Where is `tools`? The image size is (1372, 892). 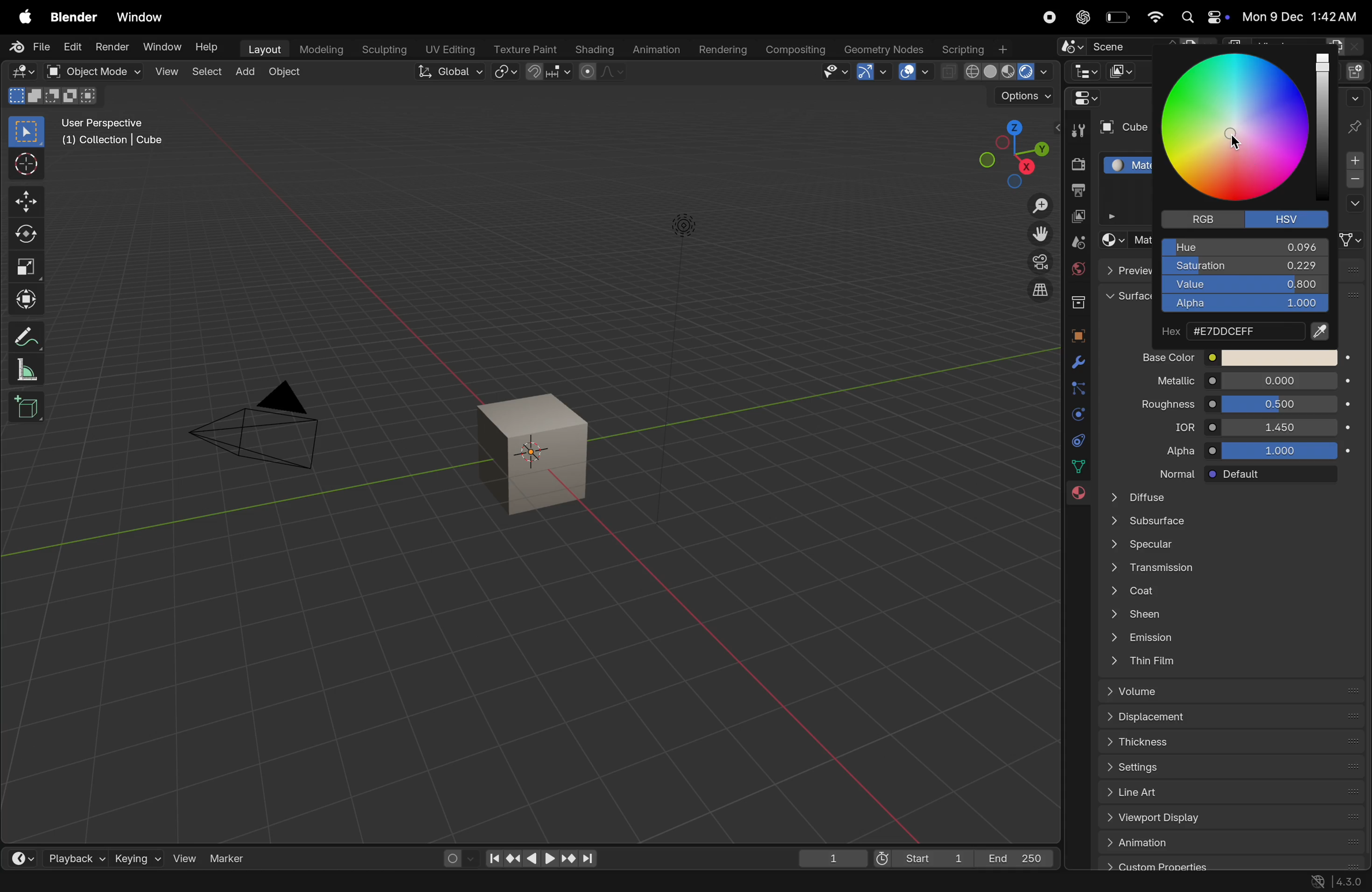 tools is located at coordinates (1077, 129).